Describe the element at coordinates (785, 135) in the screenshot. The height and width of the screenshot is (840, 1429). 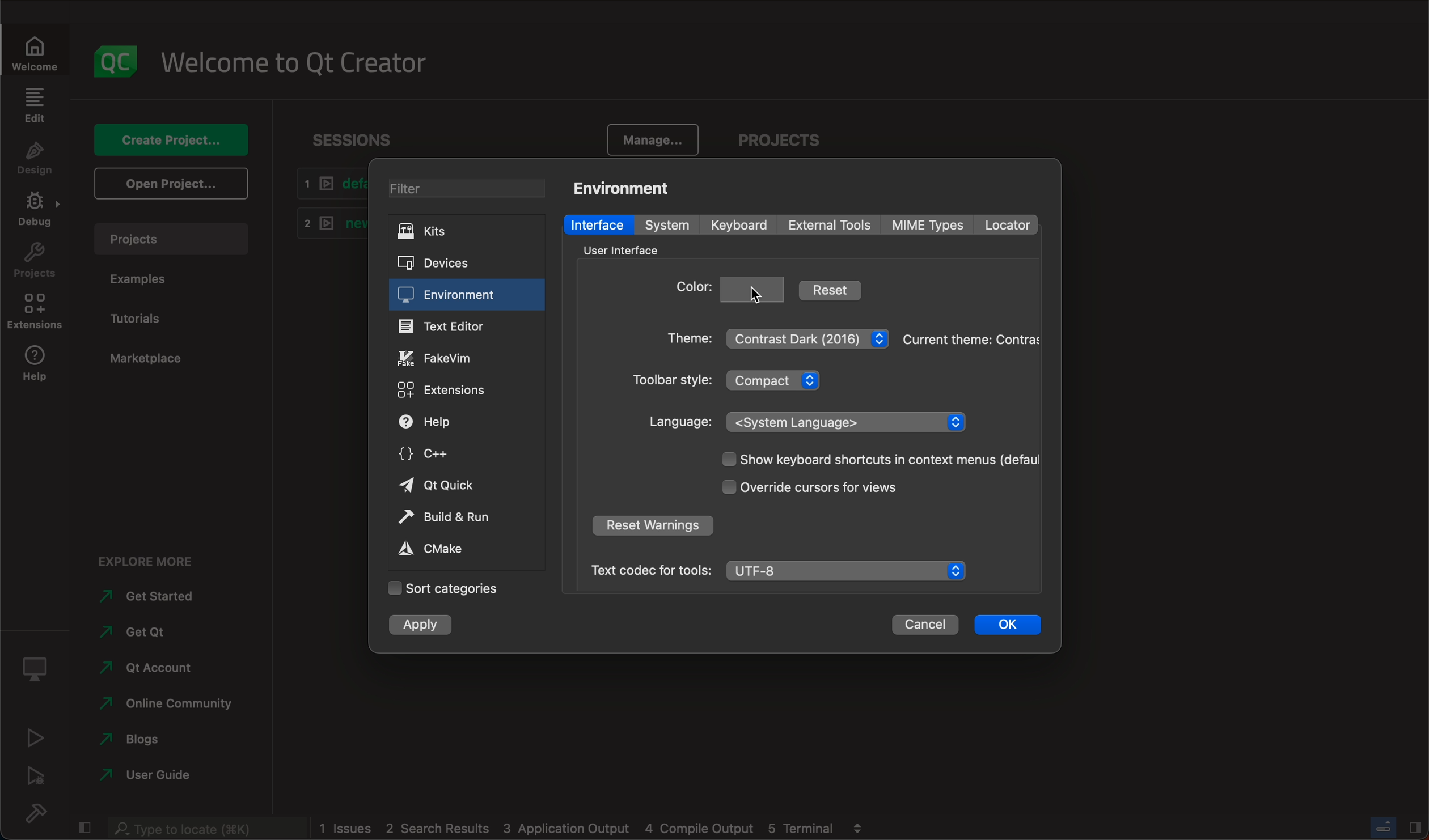
I see `projects` at that location.